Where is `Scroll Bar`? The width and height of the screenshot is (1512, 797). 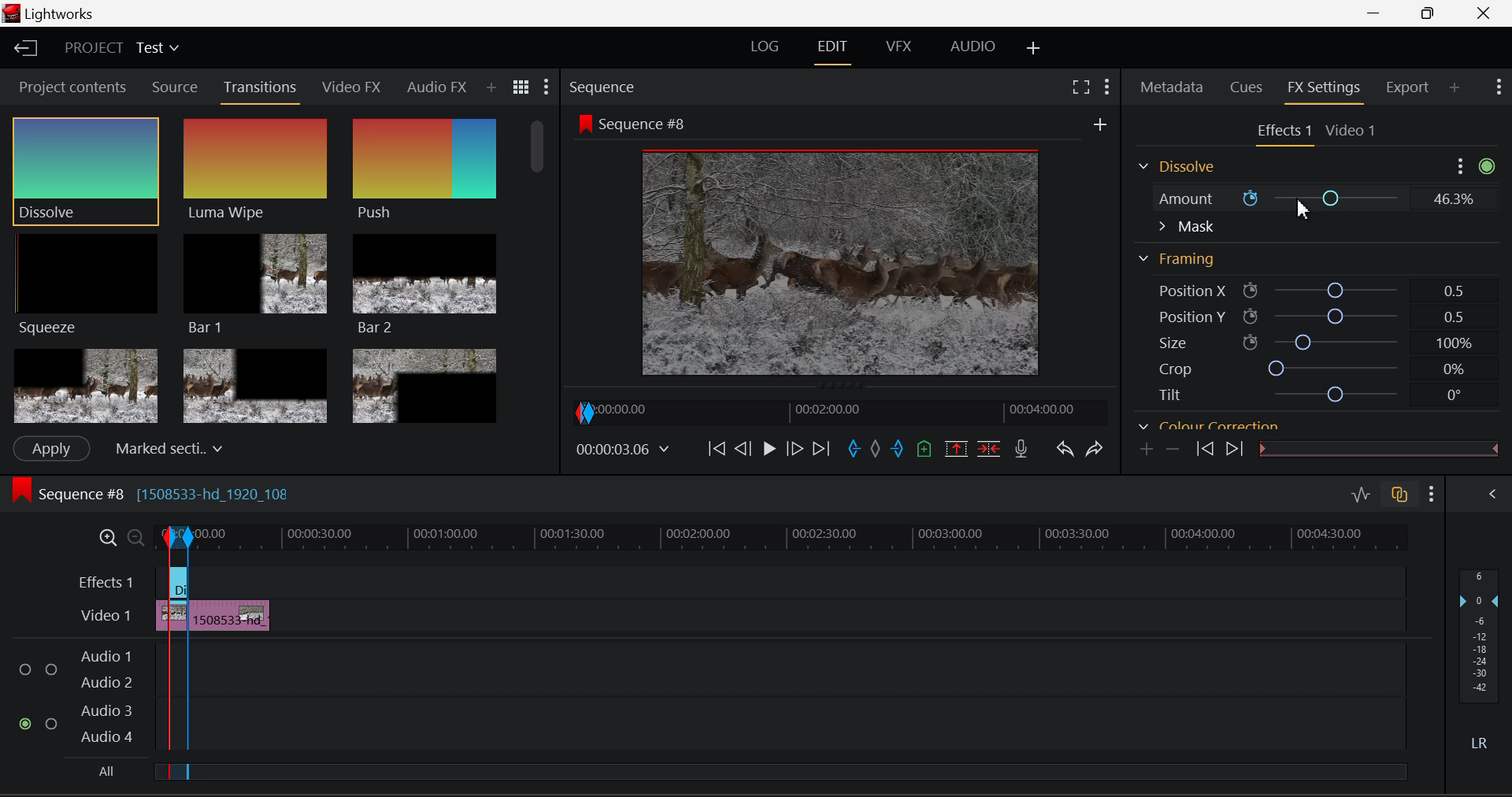 Scroll Bar is located at coordinates (1489, 293).